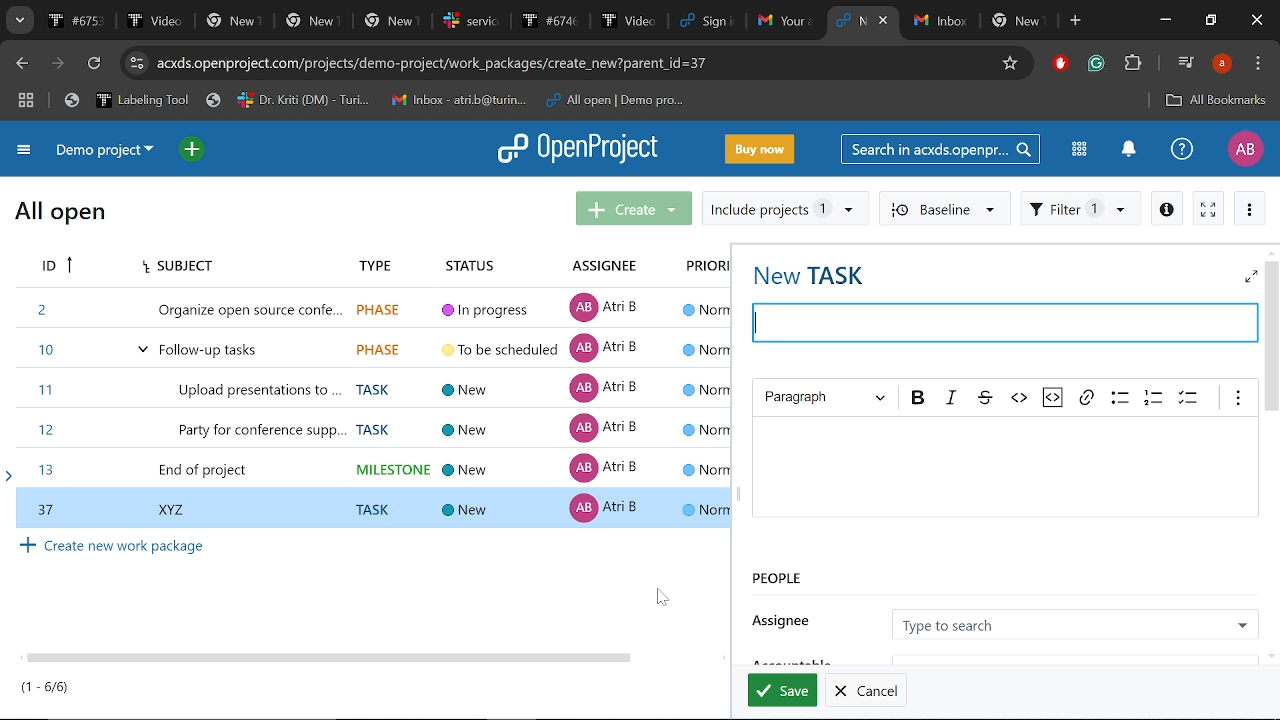 The height and width of the screenshot is (720, 1280). I want to click on Include project, so click(785, 209).